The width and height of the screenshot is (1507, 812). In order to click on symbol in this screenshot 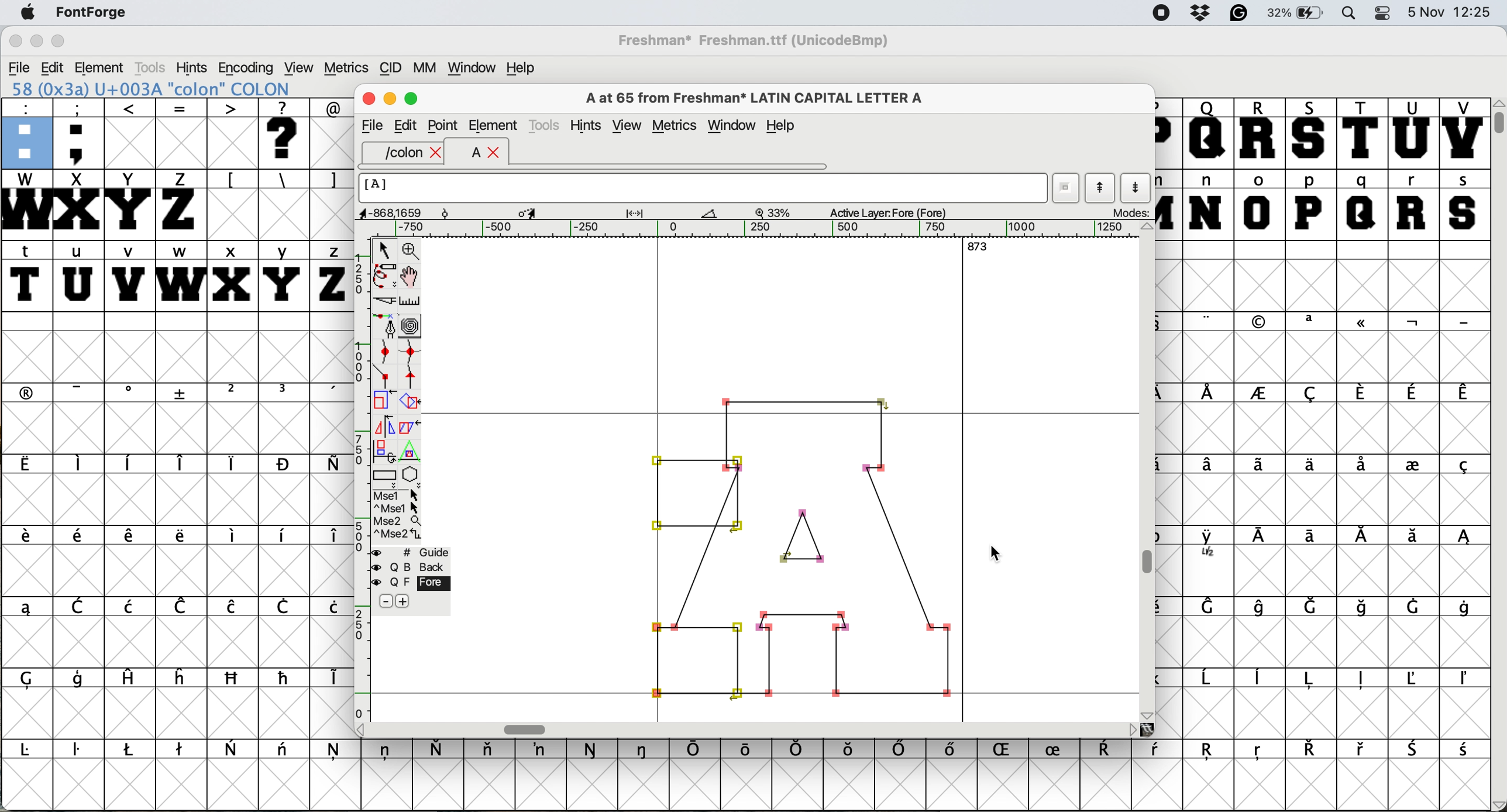, I will do `click(183, 393)`.